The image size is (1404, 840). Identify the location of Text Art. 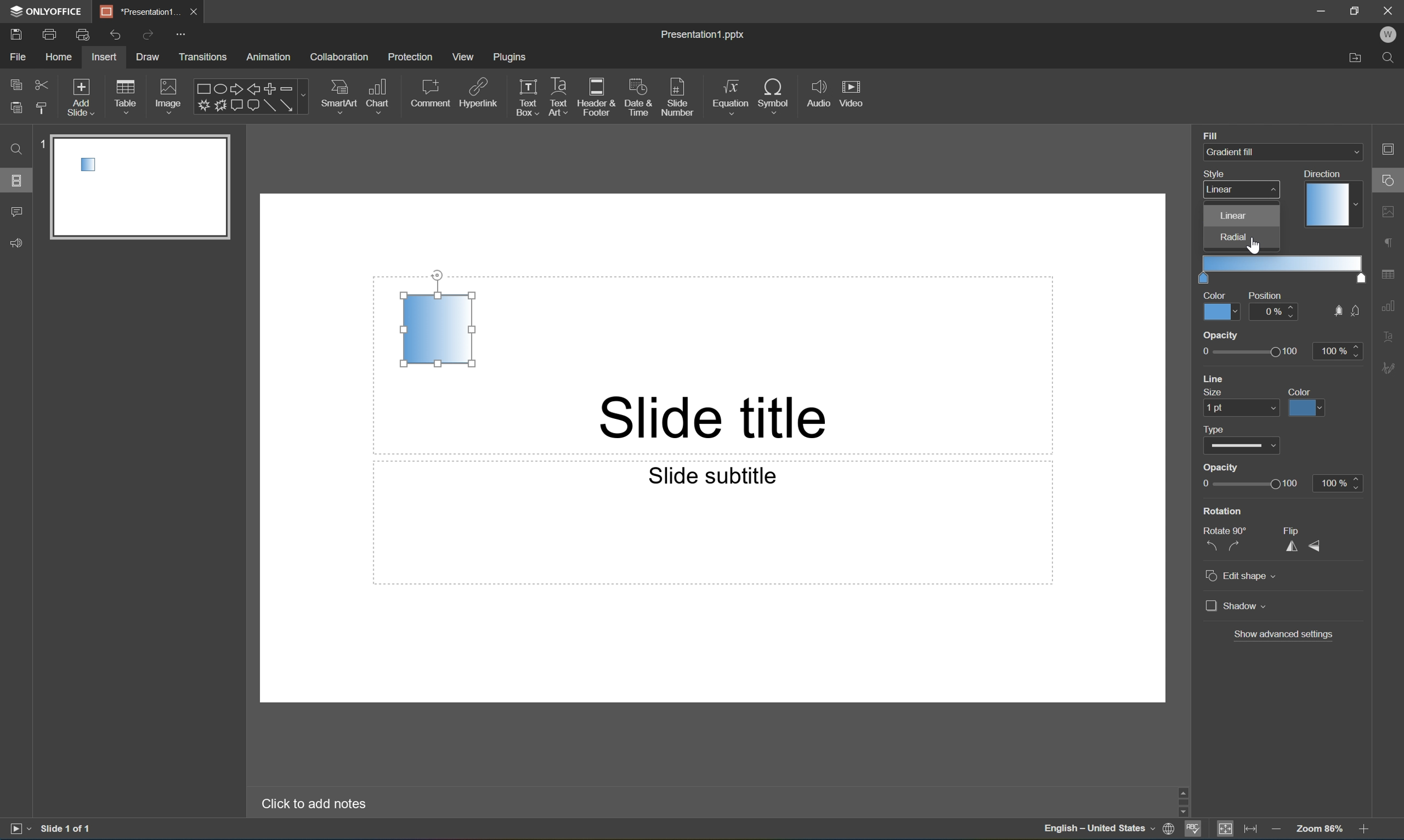
(559, 98).